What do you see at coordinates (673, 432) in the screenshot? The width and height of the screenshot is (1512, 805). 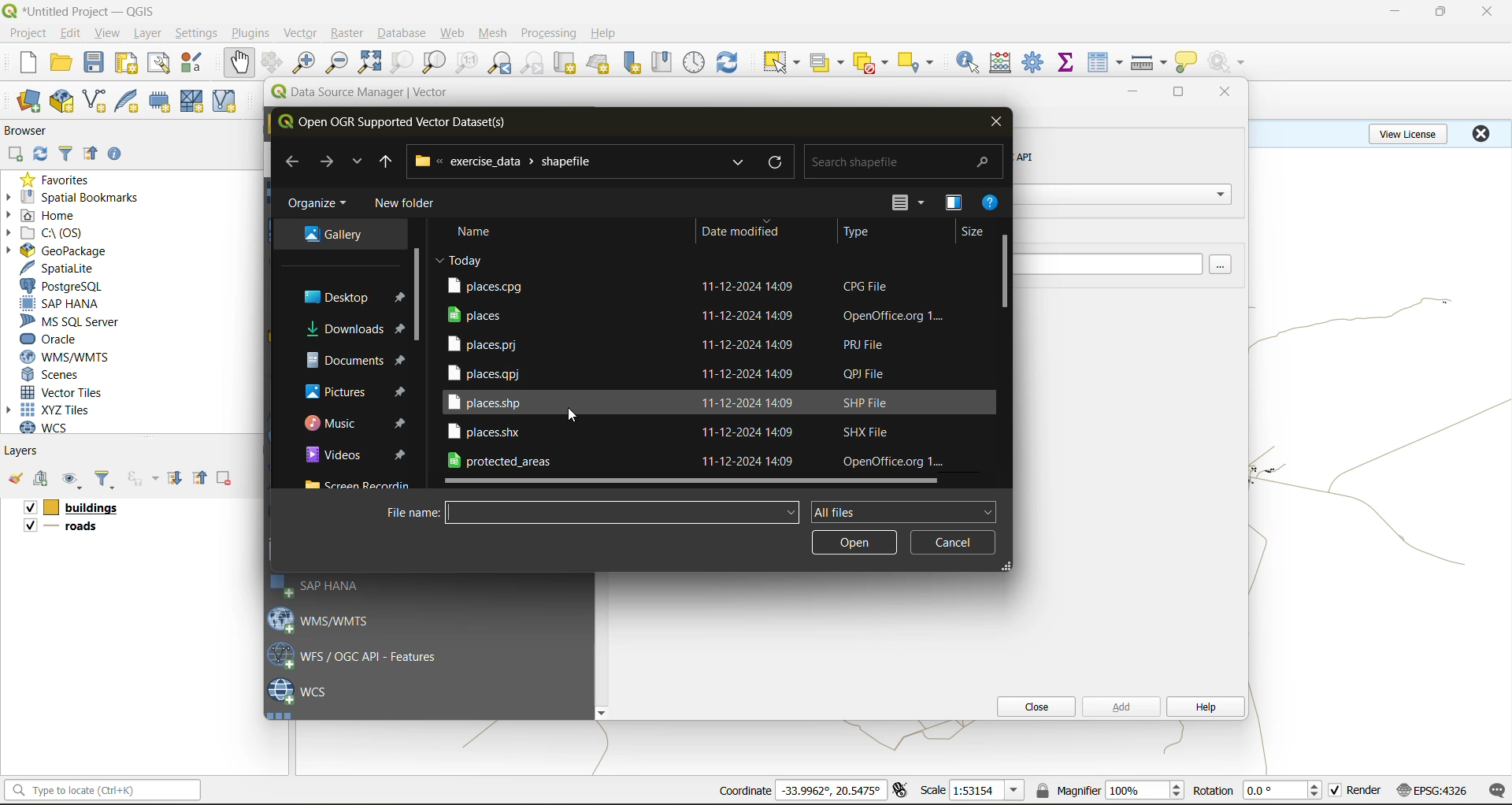 I see `file/folder names` at bounding box center [673, 432].